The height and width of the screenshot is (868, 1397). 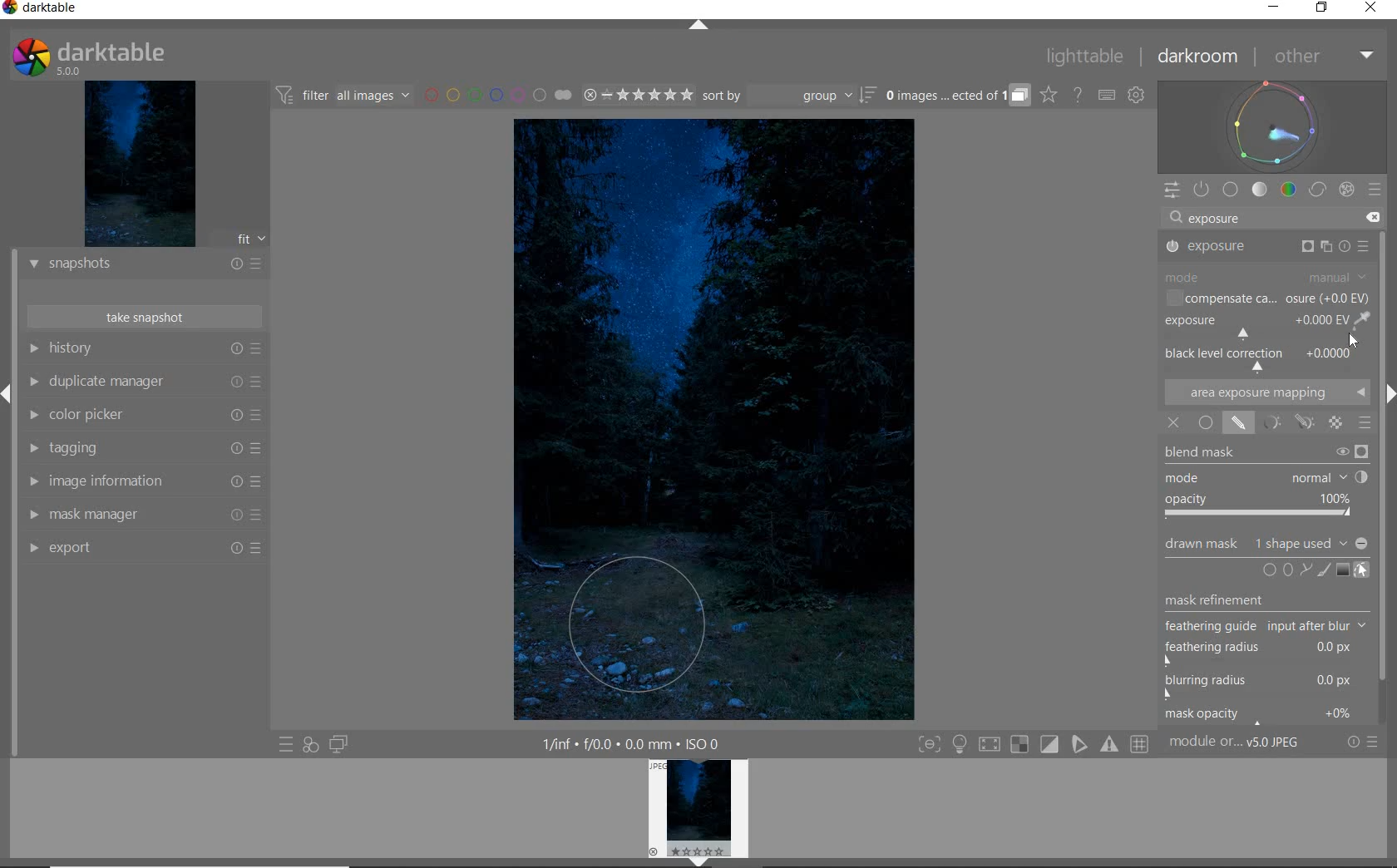 What do you see at coordinates (91, 55) in the screenshot?
I see `SYSTEM LOGO` at bounding box center [91, 55].